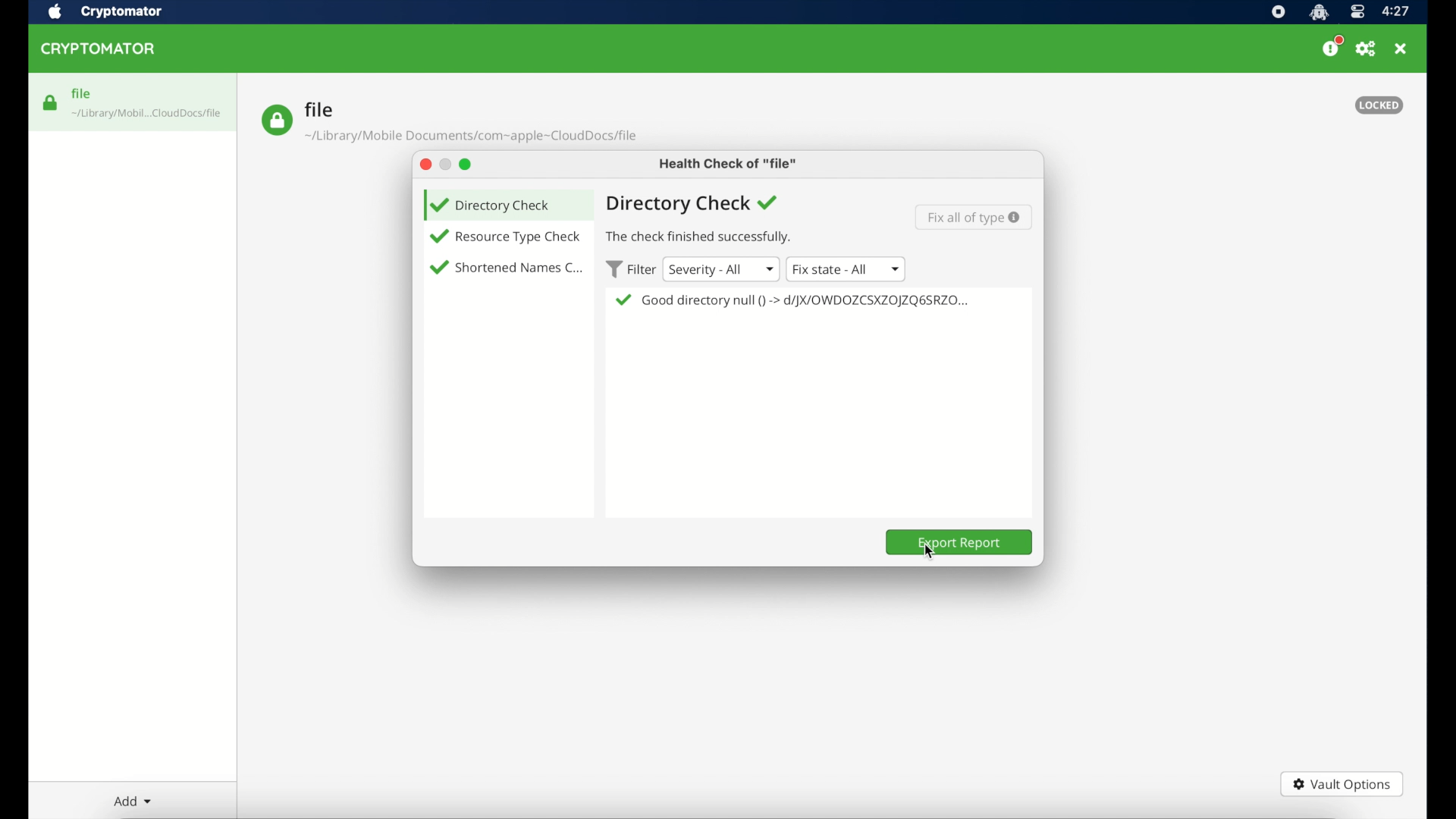  I want to click on shortened names, so click(519, 268).